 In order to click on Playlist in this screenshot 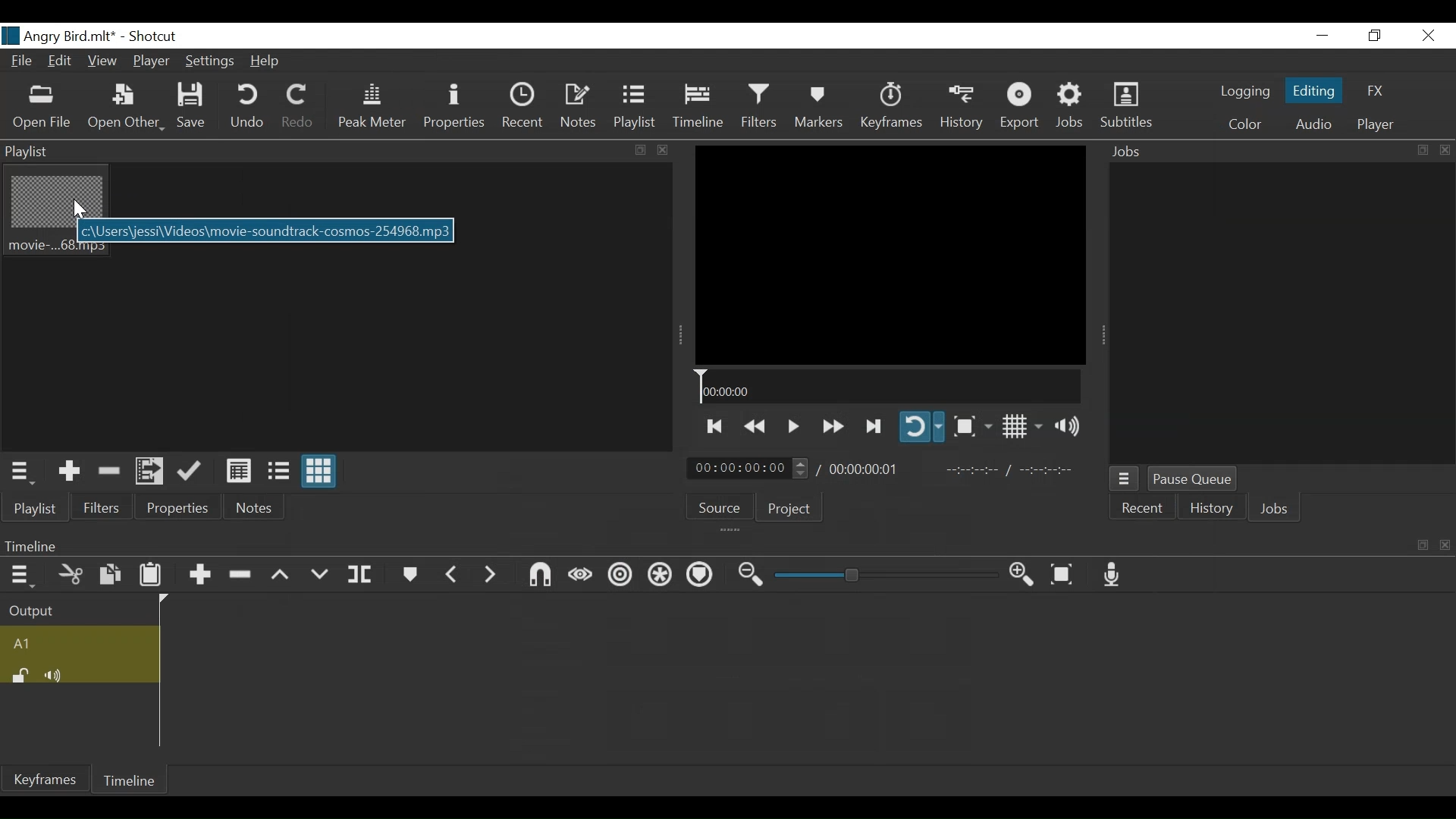, I will do `click(634, 106)`.